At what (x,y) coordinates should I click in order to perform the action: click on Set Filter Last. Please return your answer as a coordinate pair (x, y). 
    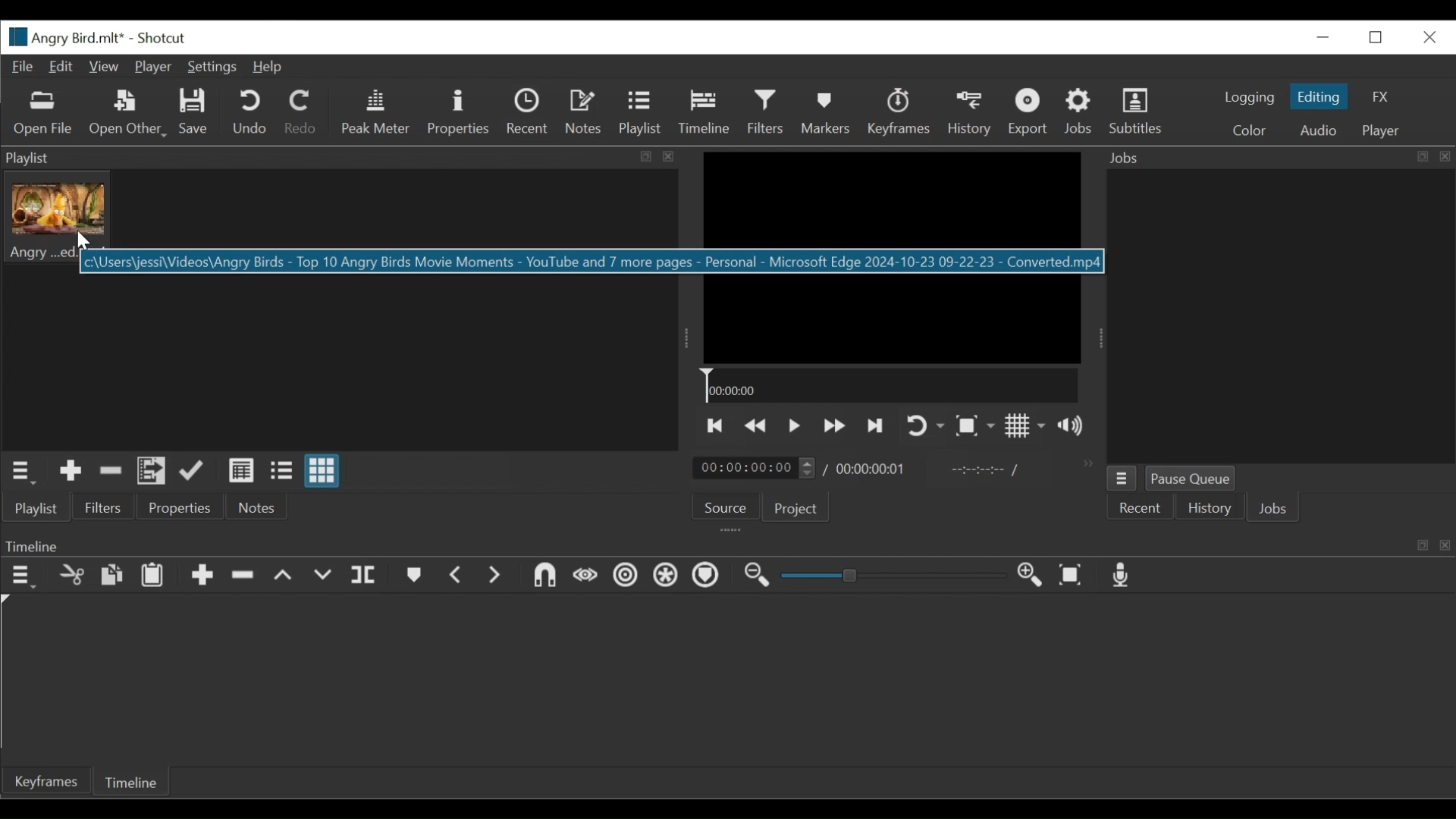
    Looking at the image, I should click on (539, 576).